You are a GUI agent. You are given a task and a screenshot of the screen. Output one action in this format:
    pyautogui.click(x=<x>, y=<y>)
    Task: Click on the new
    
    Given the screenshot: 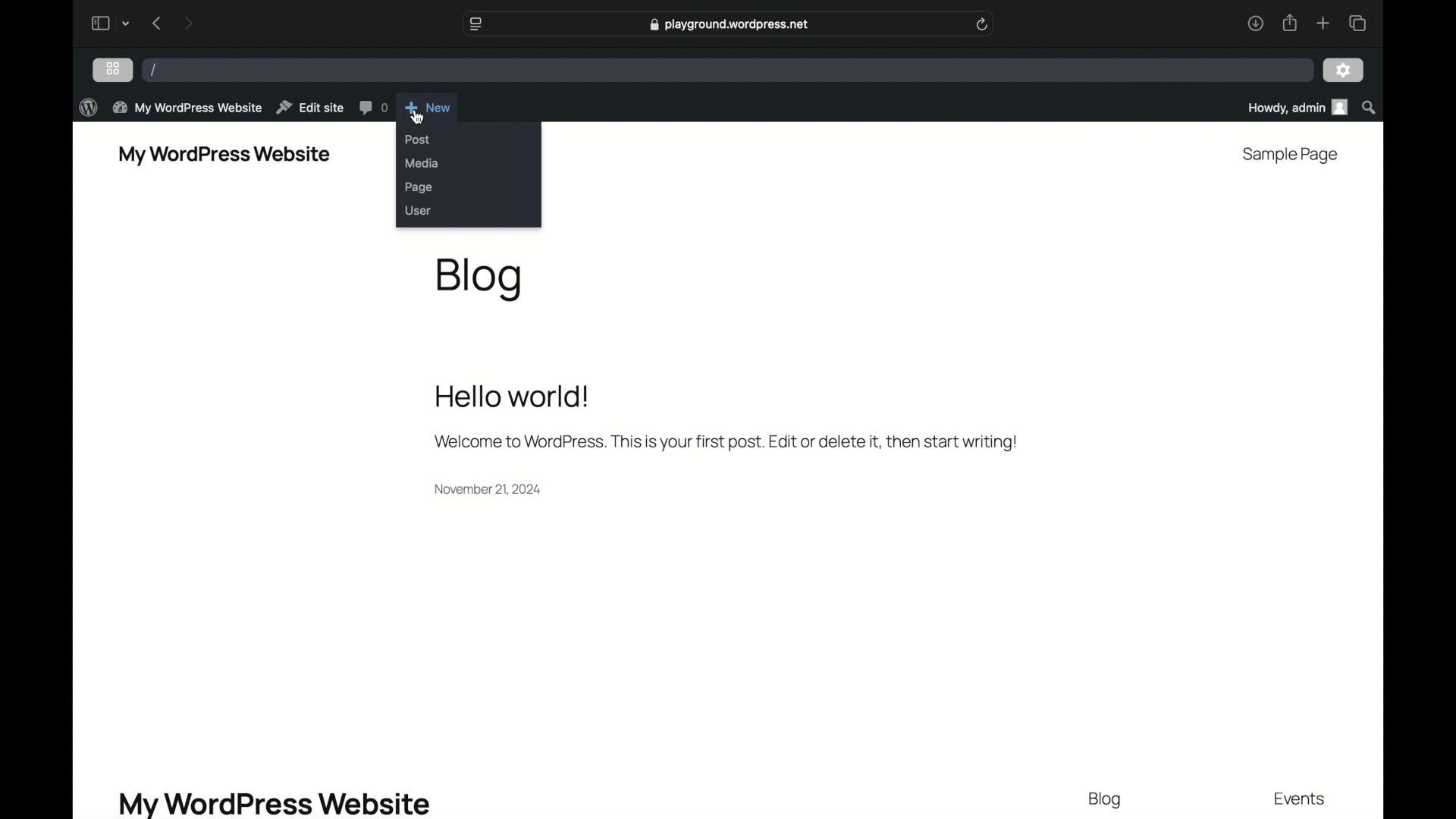 What is the action you would take?
    pyautogui.click(x=428, y=108)
    